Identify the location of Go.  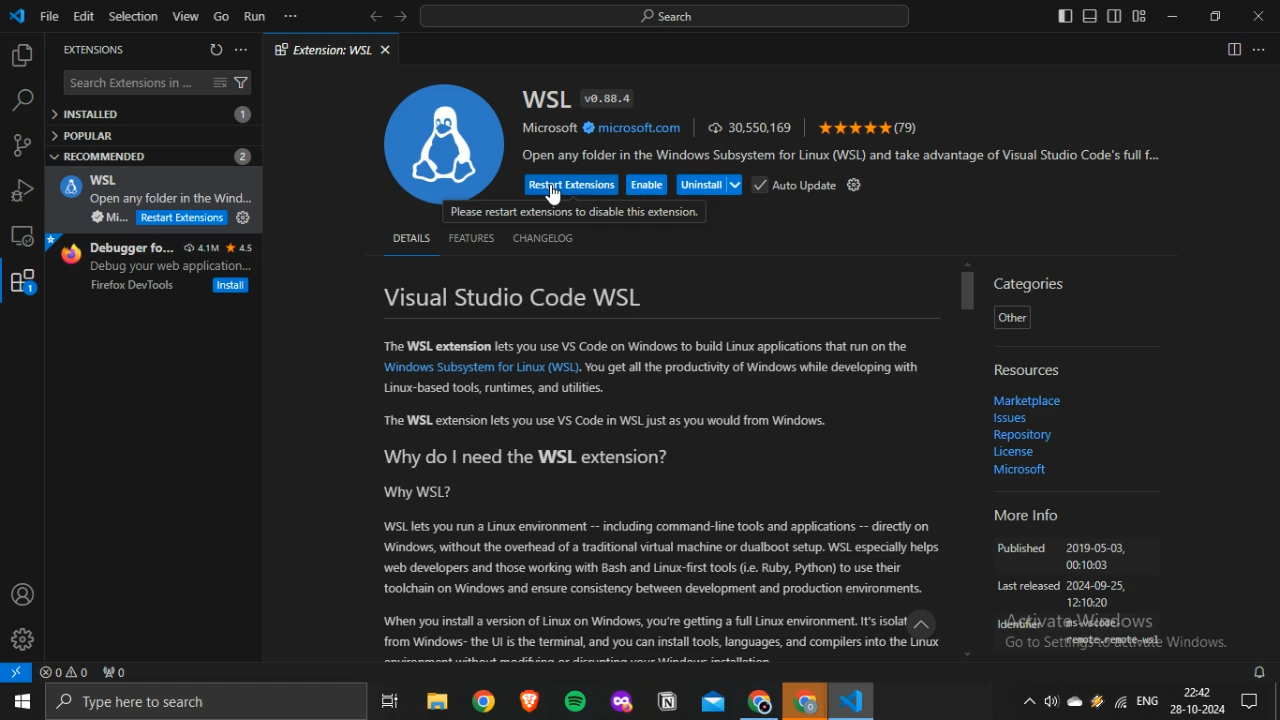
(221, 16).